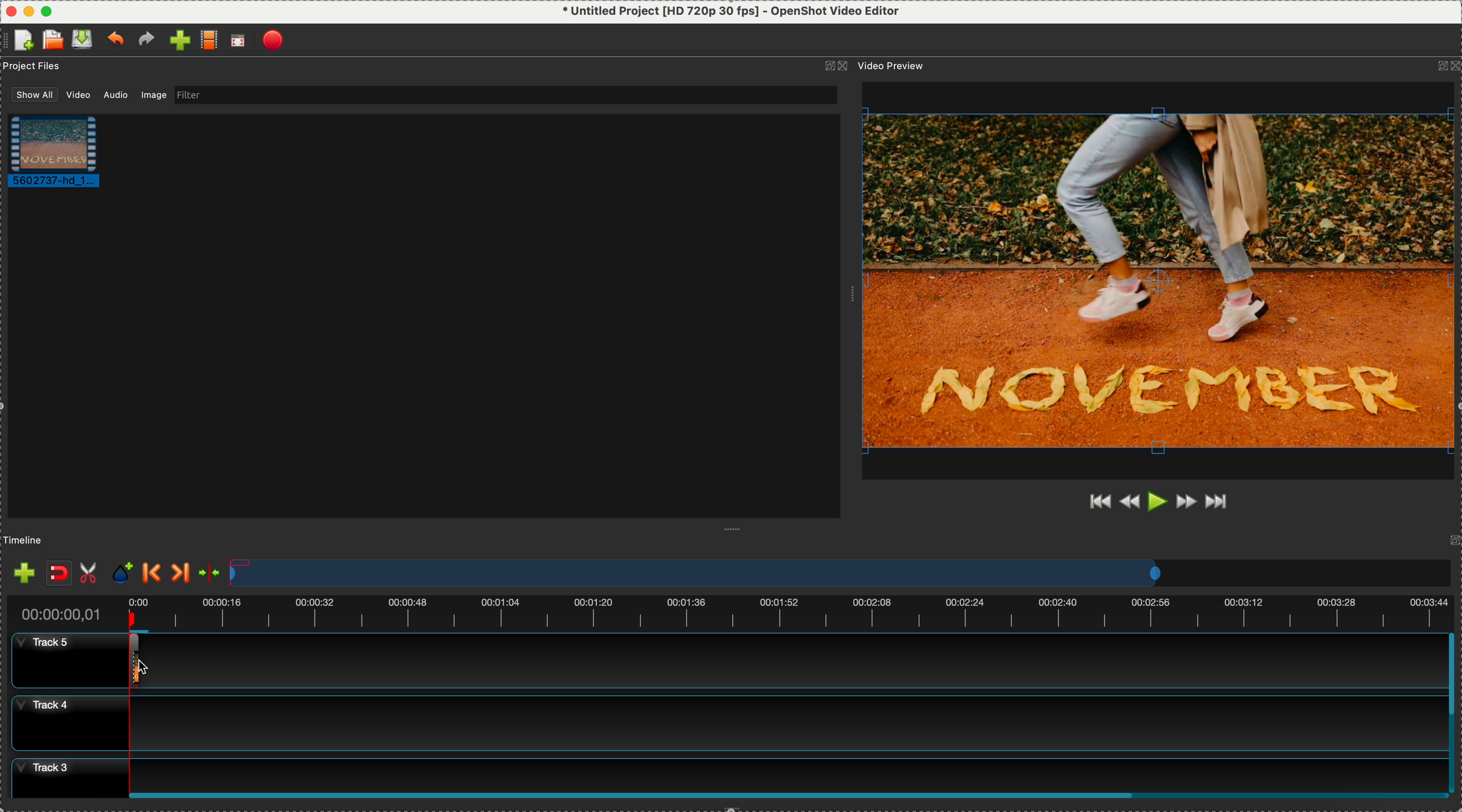 This screenshot has width=1462, height=812. What do you see at coordinates (722, 723) in the screenshot?
I see `track 4` at bounding box center [722, 723].